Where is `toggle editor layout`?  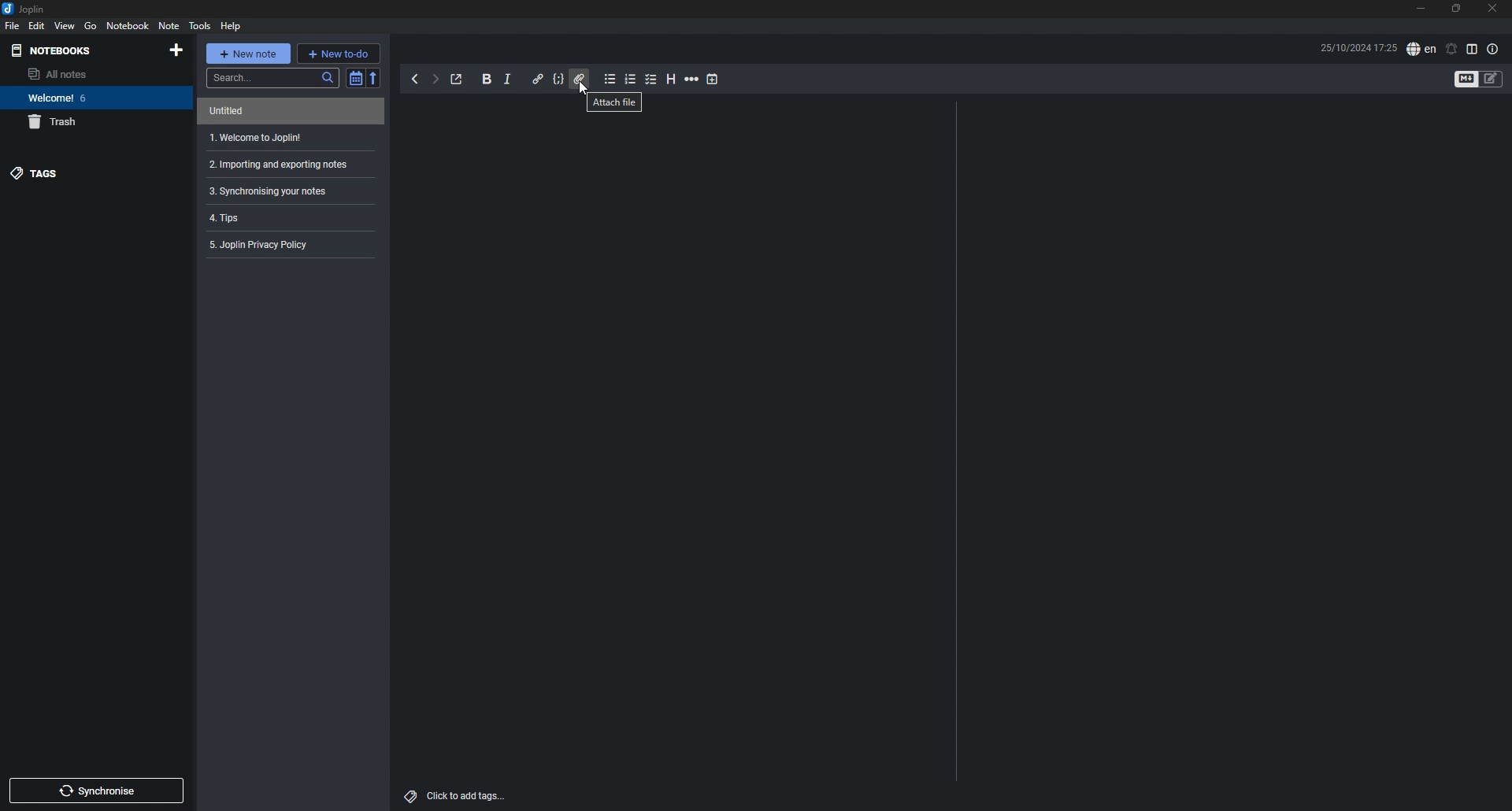 toggle editor layout is located at coordinates (1474, 49).